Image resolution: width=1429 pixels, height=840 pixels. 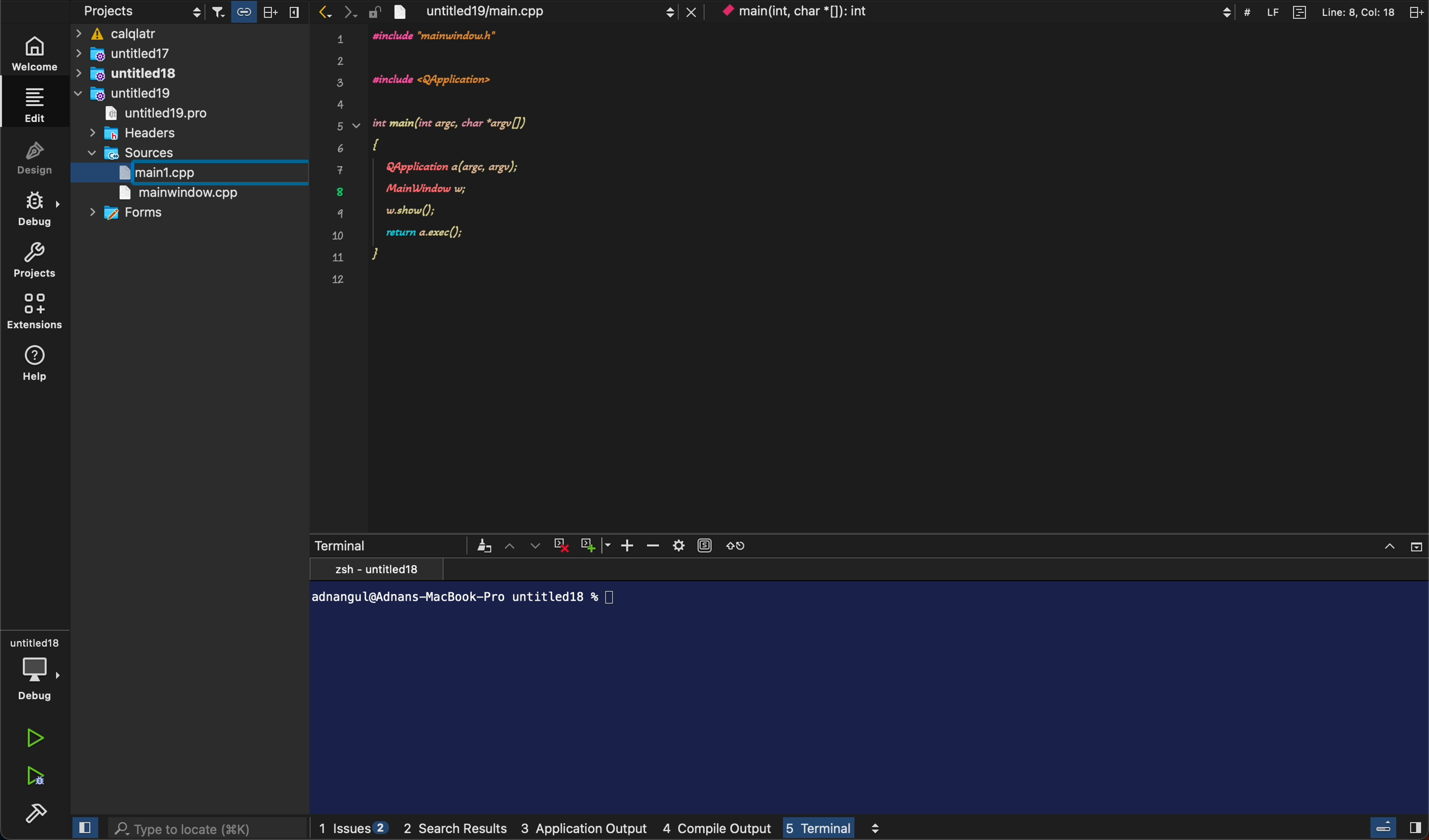 I want to click on Add Window, so click(x=594, y=544).